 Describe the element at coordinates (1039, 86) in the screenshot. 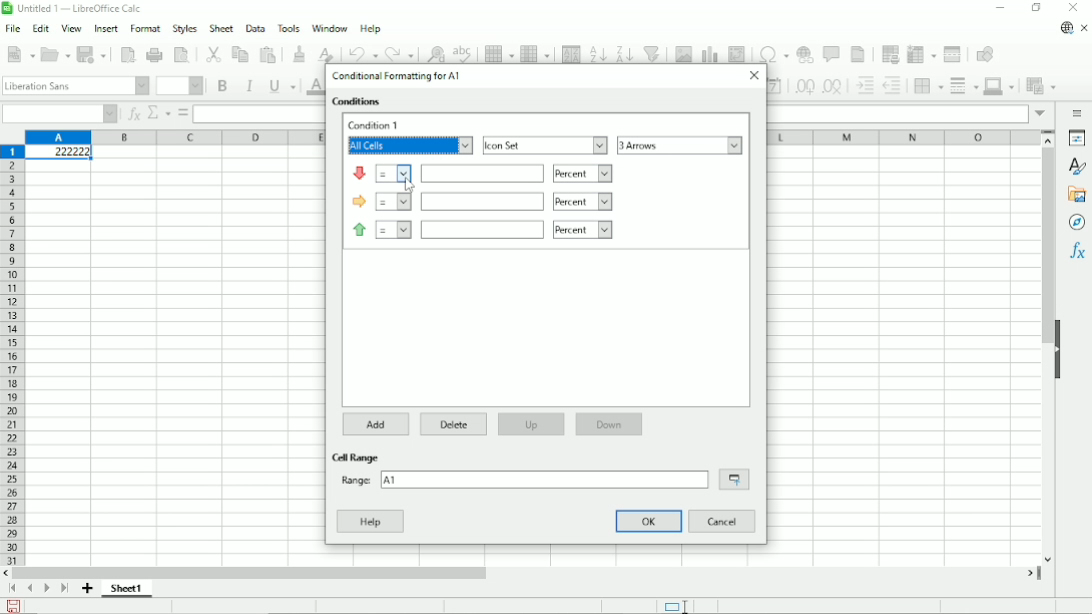

I see `Conditional` at that location.